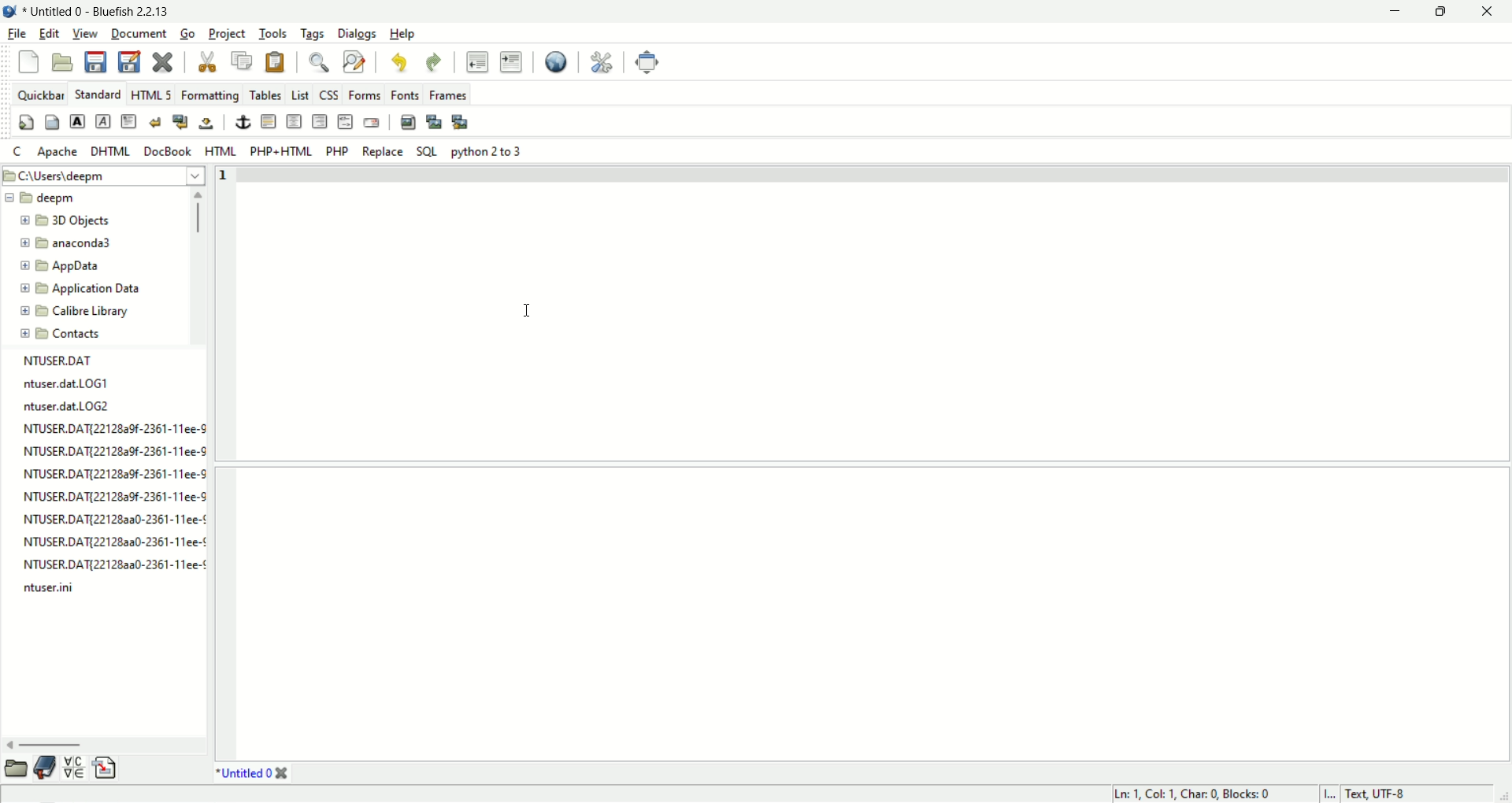 The image size is (1512, 803). Describe the element at coordinates (54, 122) in the screenshot. I see `body` at that location.